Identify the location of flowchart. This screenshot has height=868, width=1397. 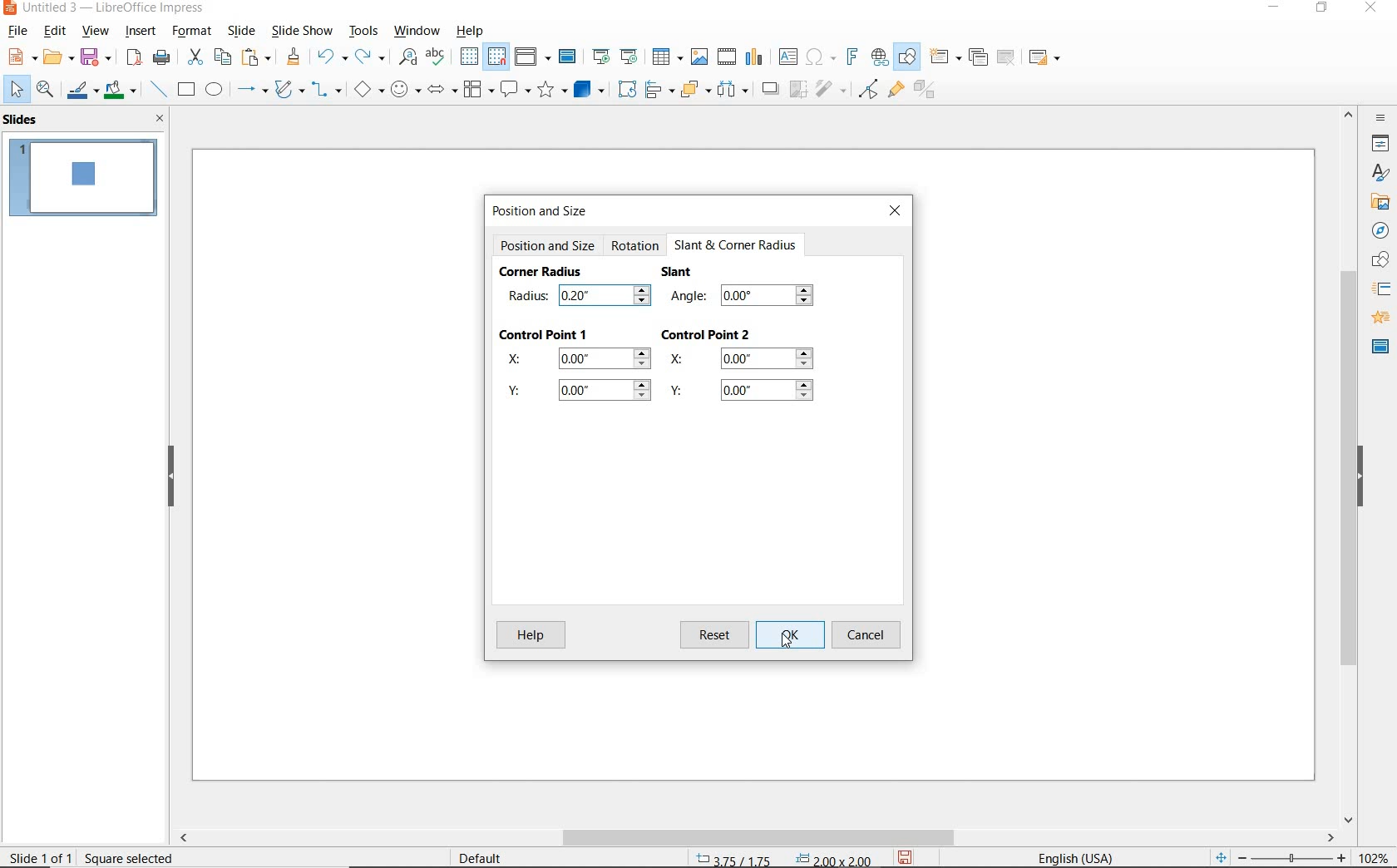
(480, 90).